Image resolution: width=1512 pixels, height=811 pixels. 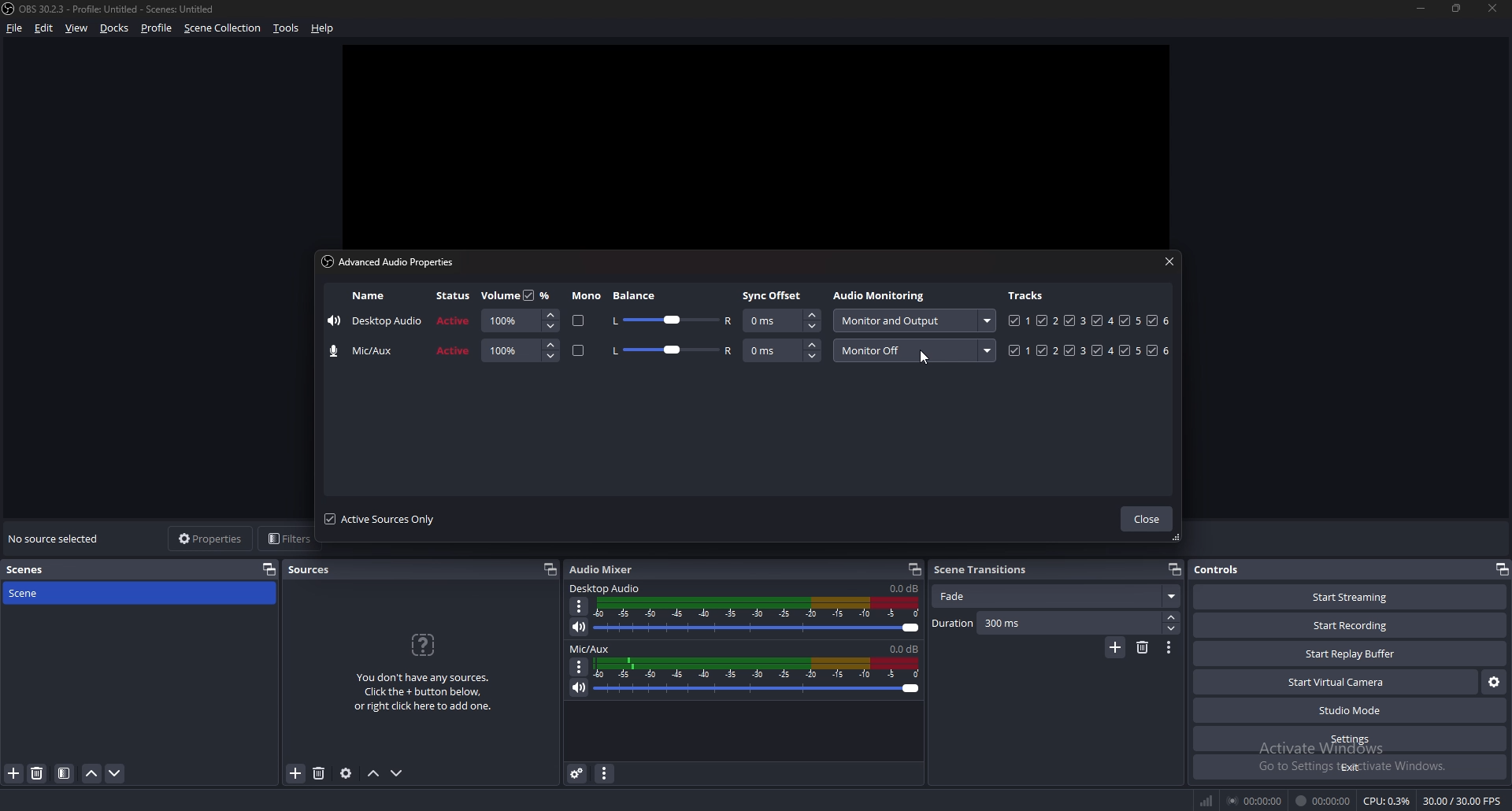 What do you see at coordinates (157, 28) in the screenshot?
I see `profile` at bounding box center [157, 28].